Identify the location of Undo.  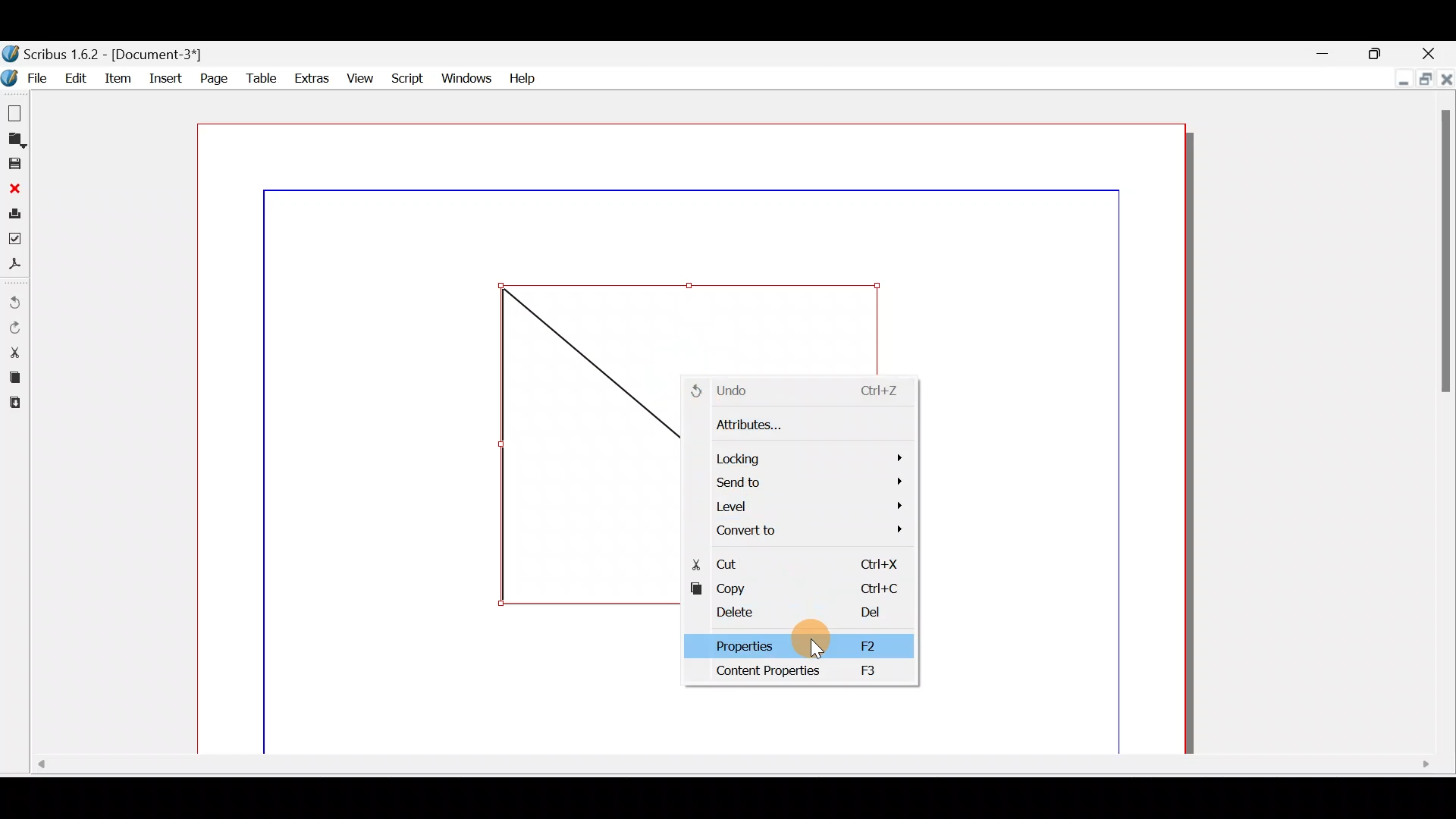
(802, 388).